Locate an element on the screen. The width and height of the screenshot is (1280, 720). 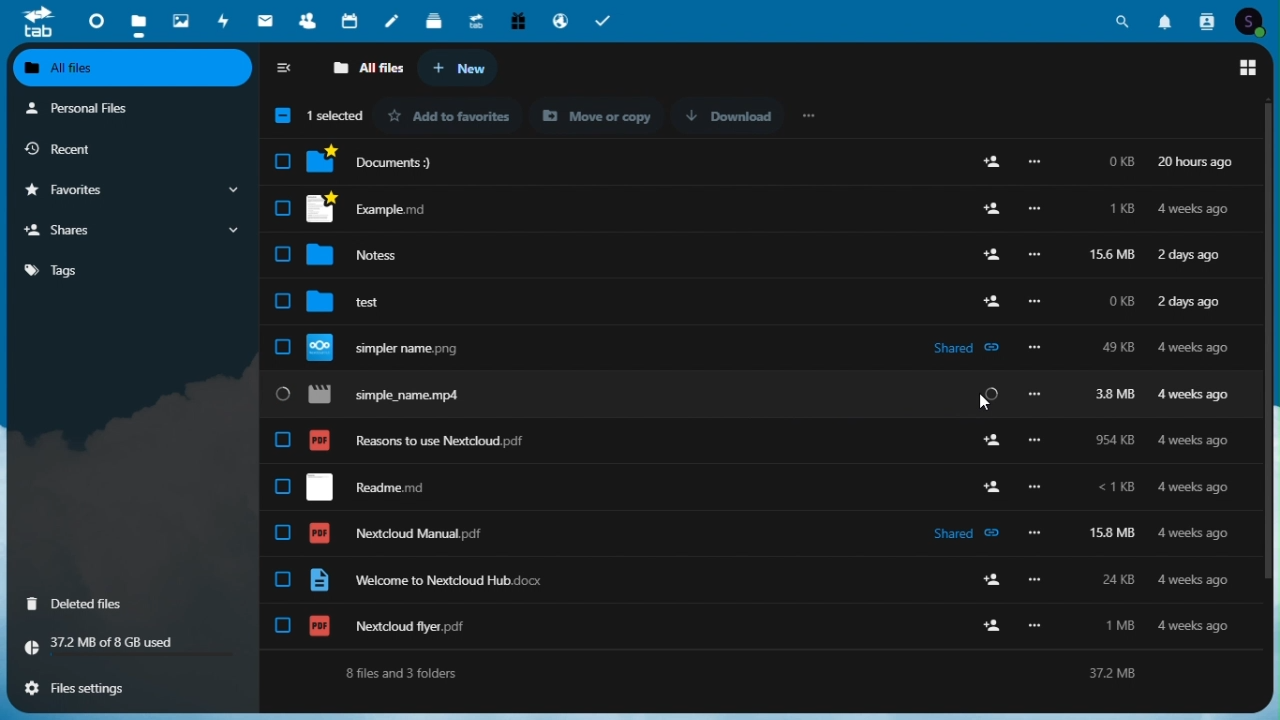
deck is located at coordinates (434, 22).